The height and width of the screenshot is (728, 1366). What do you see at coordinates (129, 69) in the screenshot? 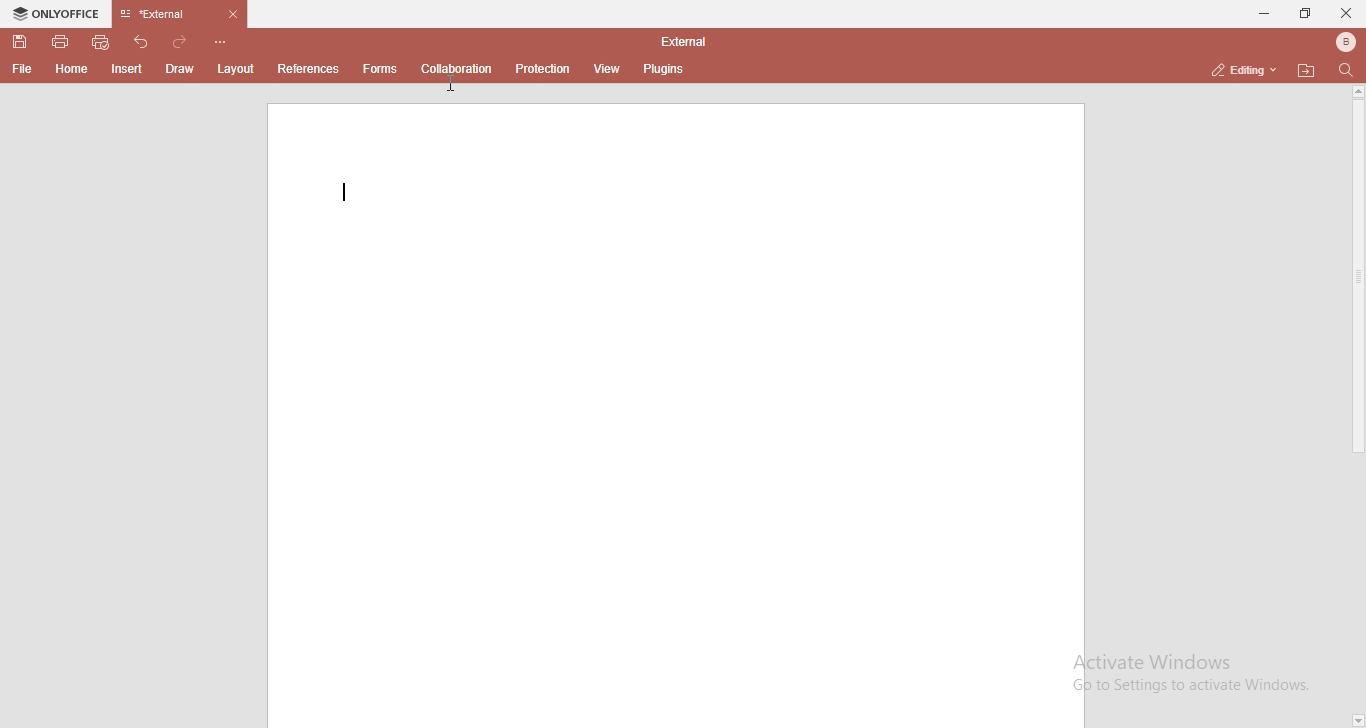
I see `insert` at bounding box center [129, 69].